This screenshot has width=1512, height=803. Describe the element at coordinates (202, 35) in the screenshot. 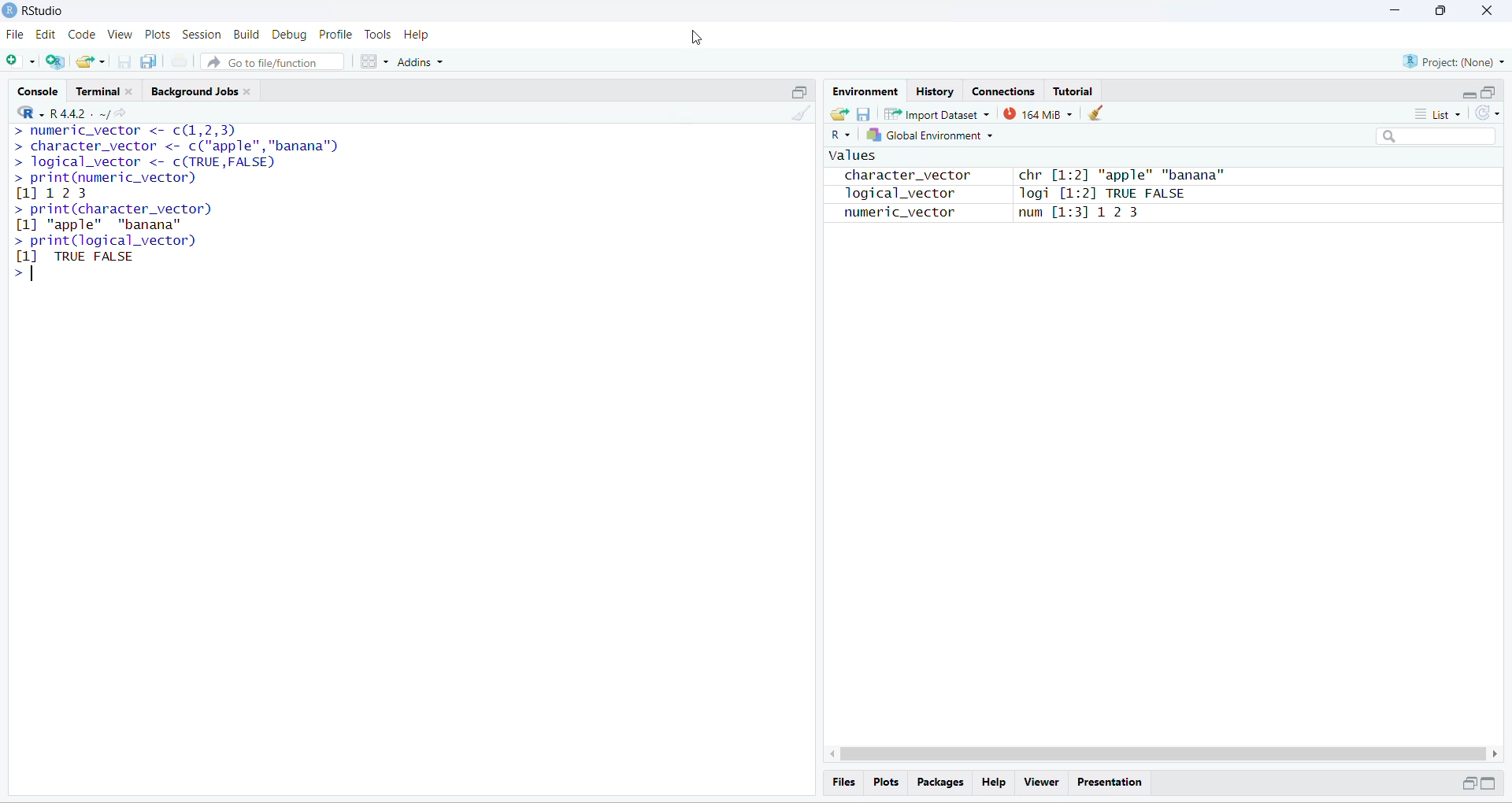

I see `Session` at that location.